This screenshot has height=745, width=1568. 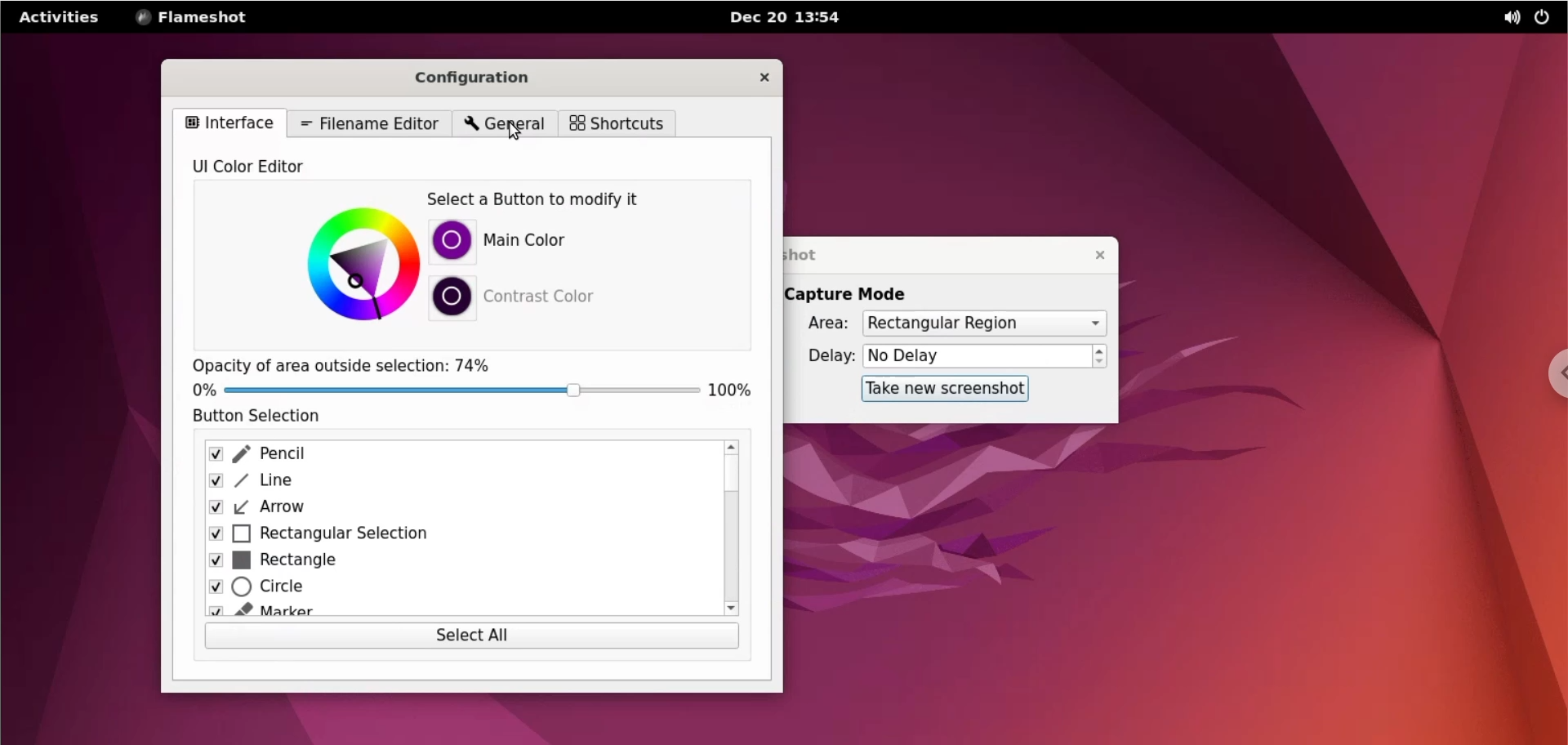 I want to click on activities, so click(x=61, y=16).